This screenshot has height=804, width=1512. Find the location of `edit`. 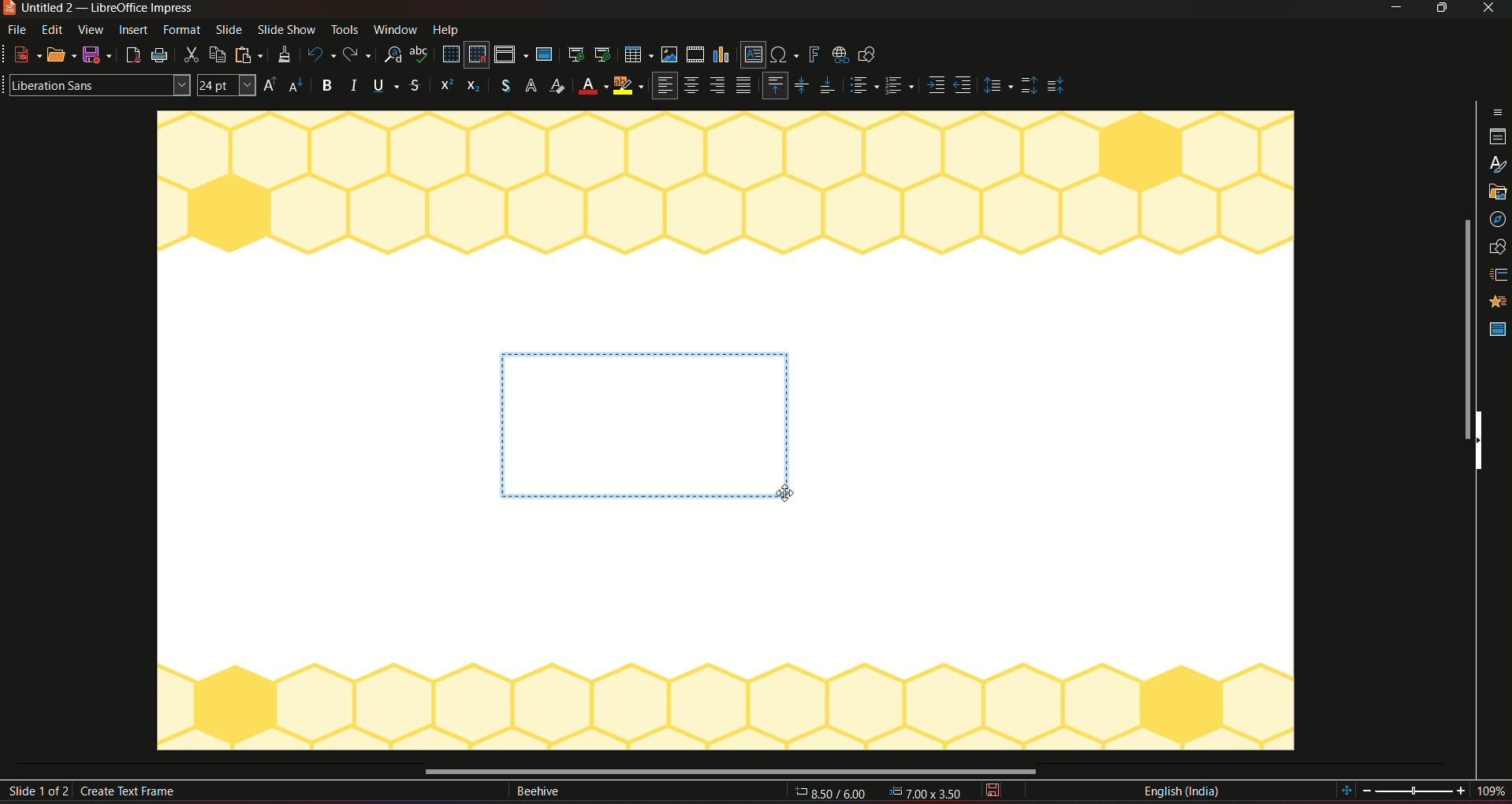

edit is located at coordinates (53, 31).